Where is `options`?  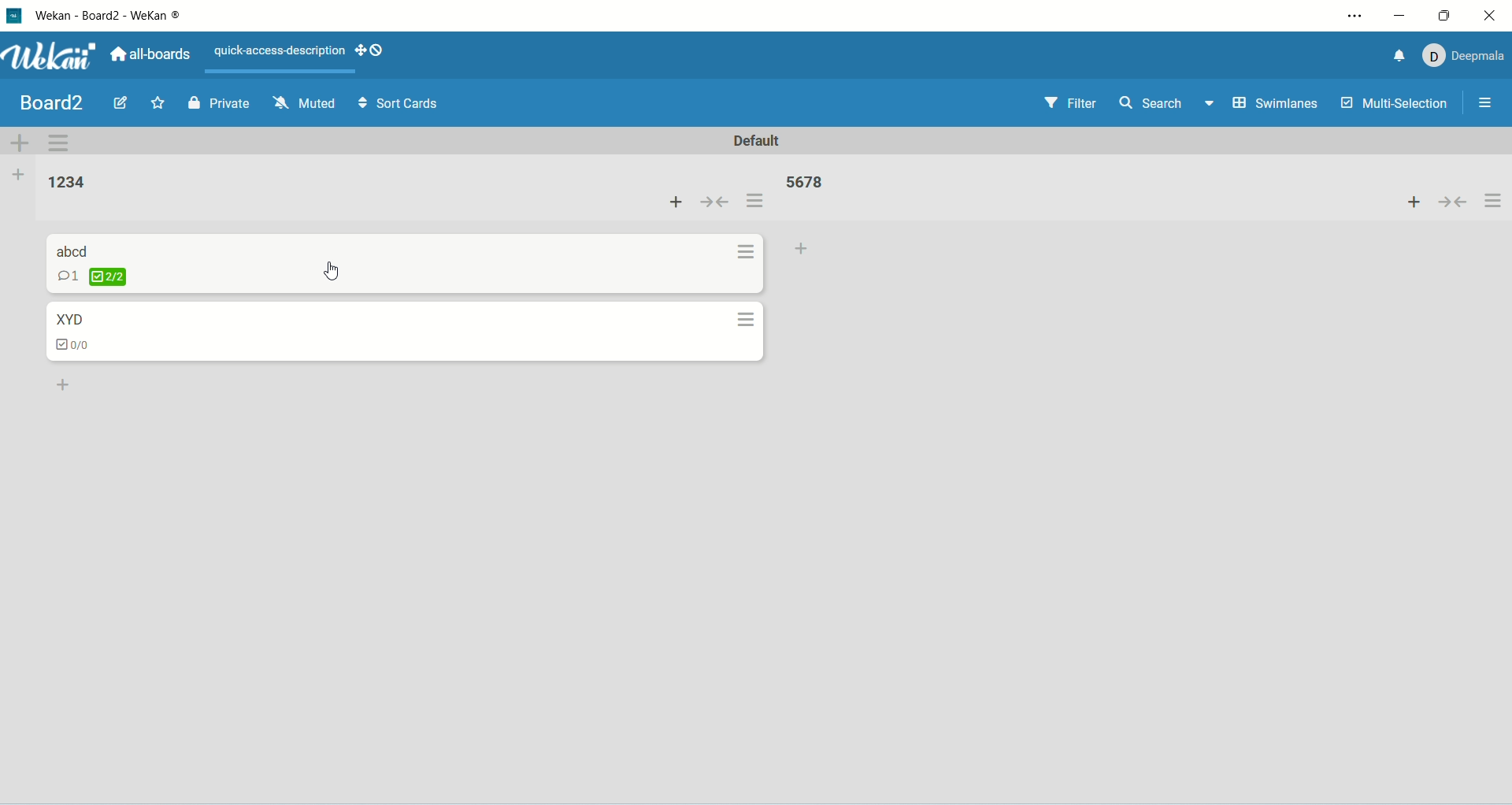
options is located at coordinates (749, 321).